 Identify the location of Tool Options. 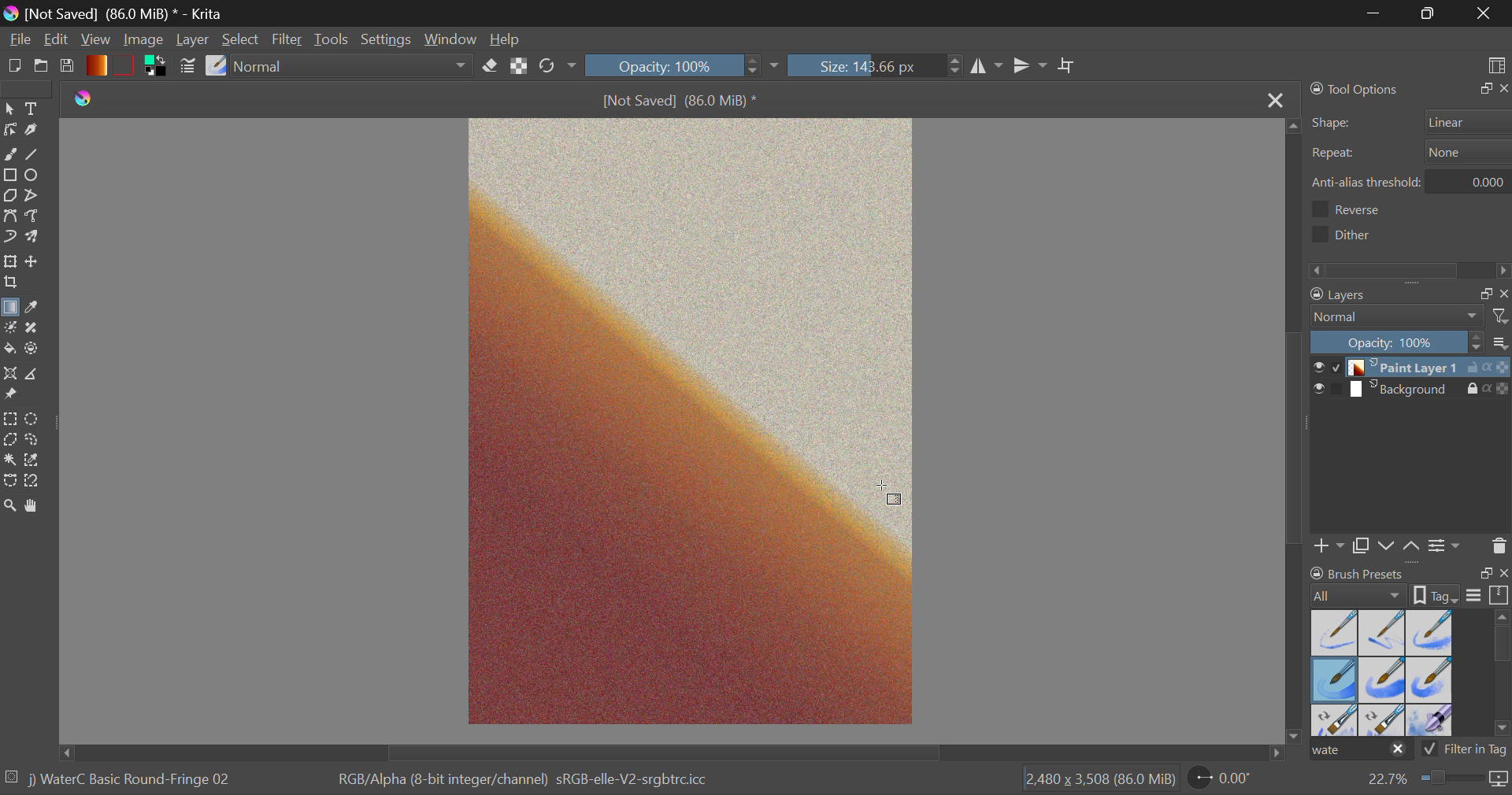
(1356, 89).